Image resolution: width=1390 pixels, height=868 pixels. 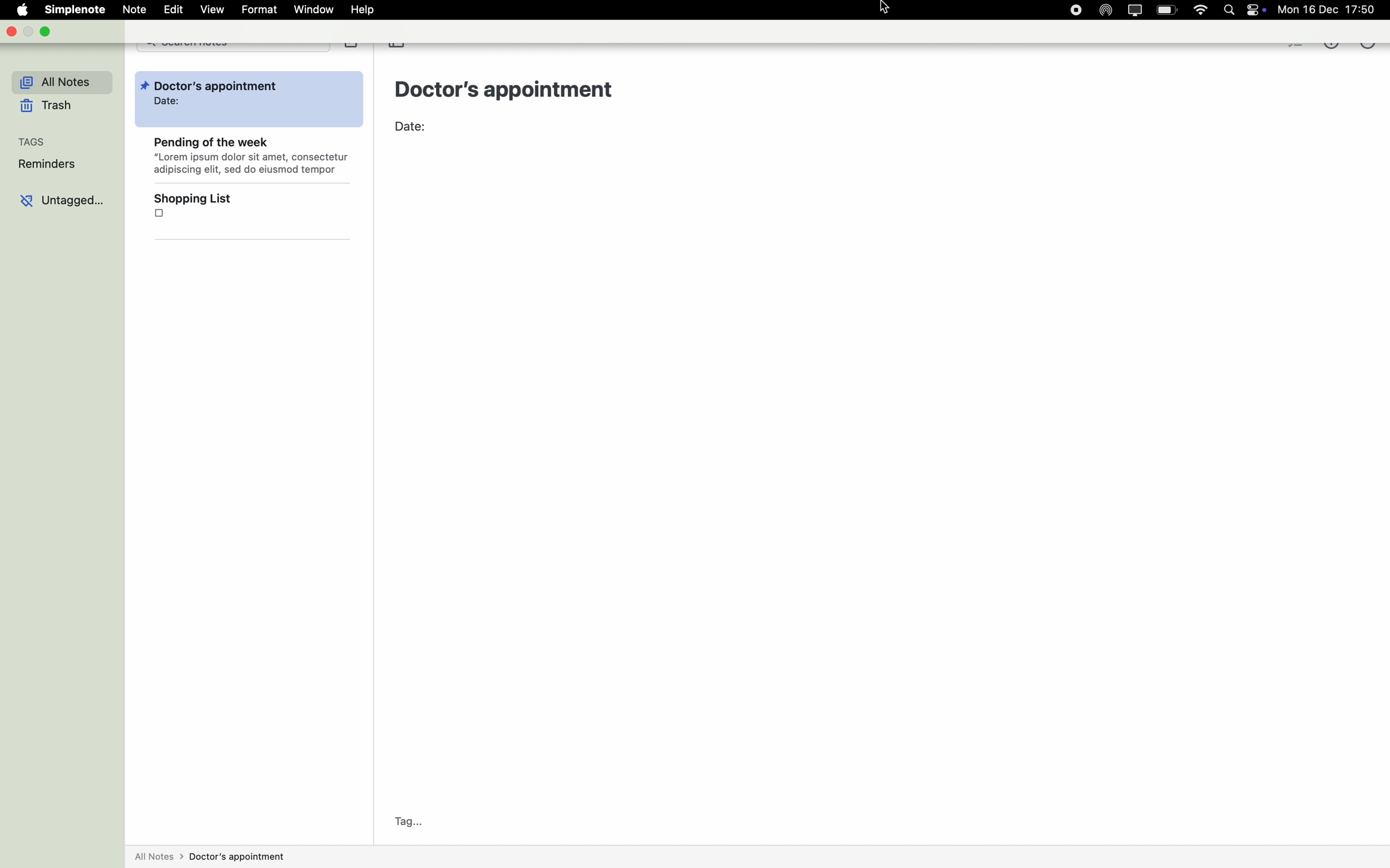 I want to click on edit, so click(x=175, y=9).